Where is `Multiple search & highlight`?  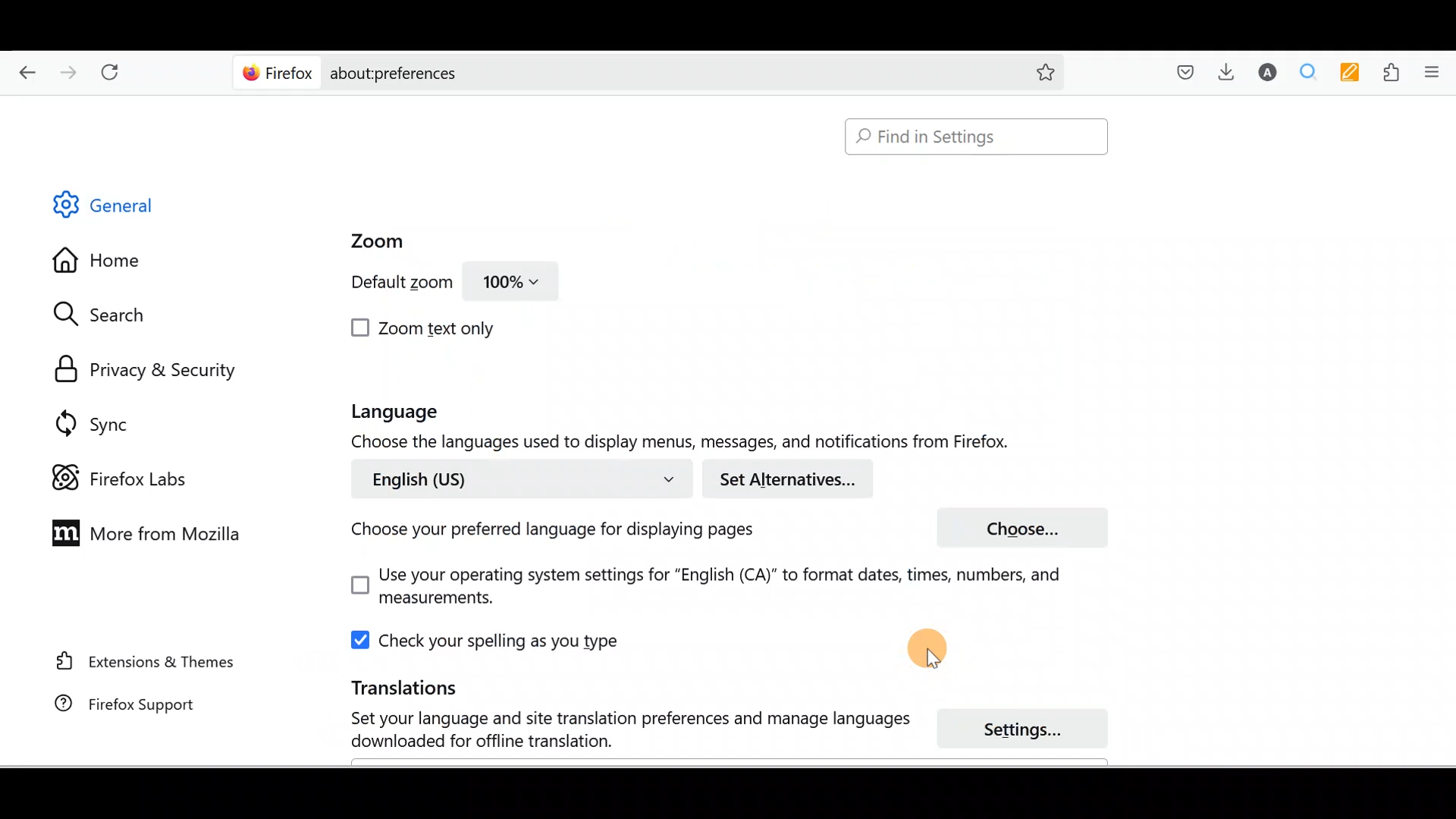
Multiple search & highlight is located at coordinates (1309, 71).